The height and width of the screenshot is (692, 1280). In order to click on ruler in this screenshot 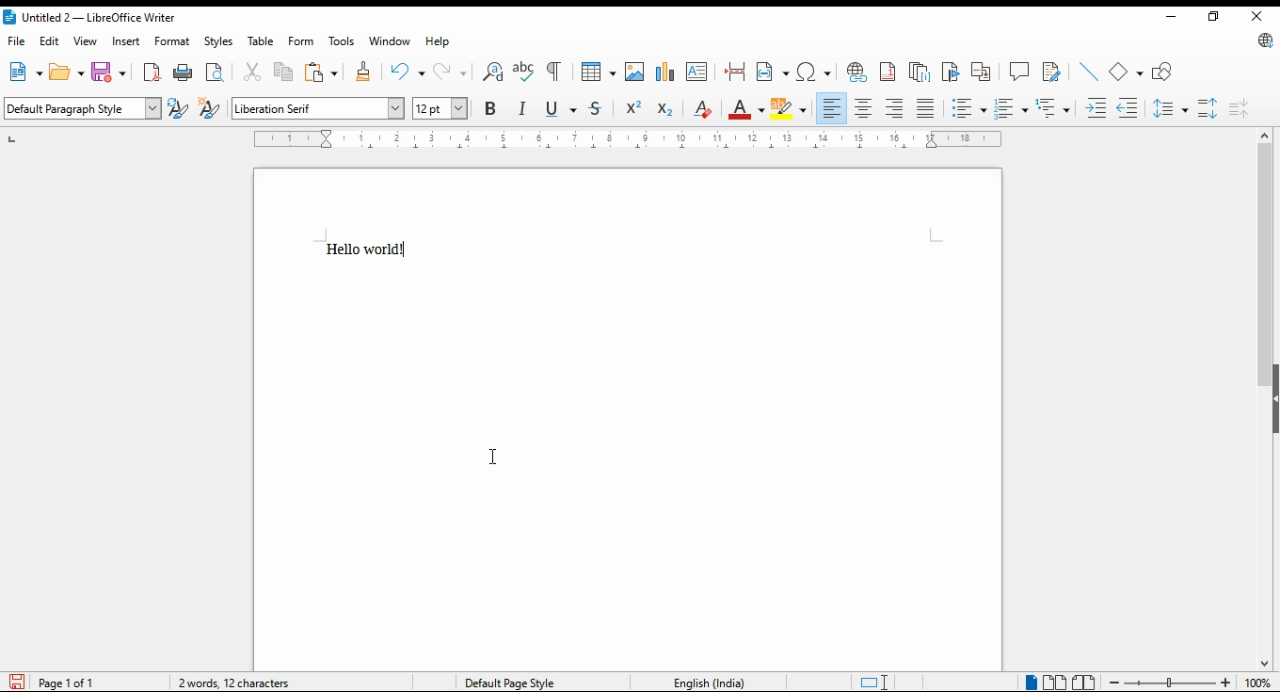, I will do `click(628, 139)`.